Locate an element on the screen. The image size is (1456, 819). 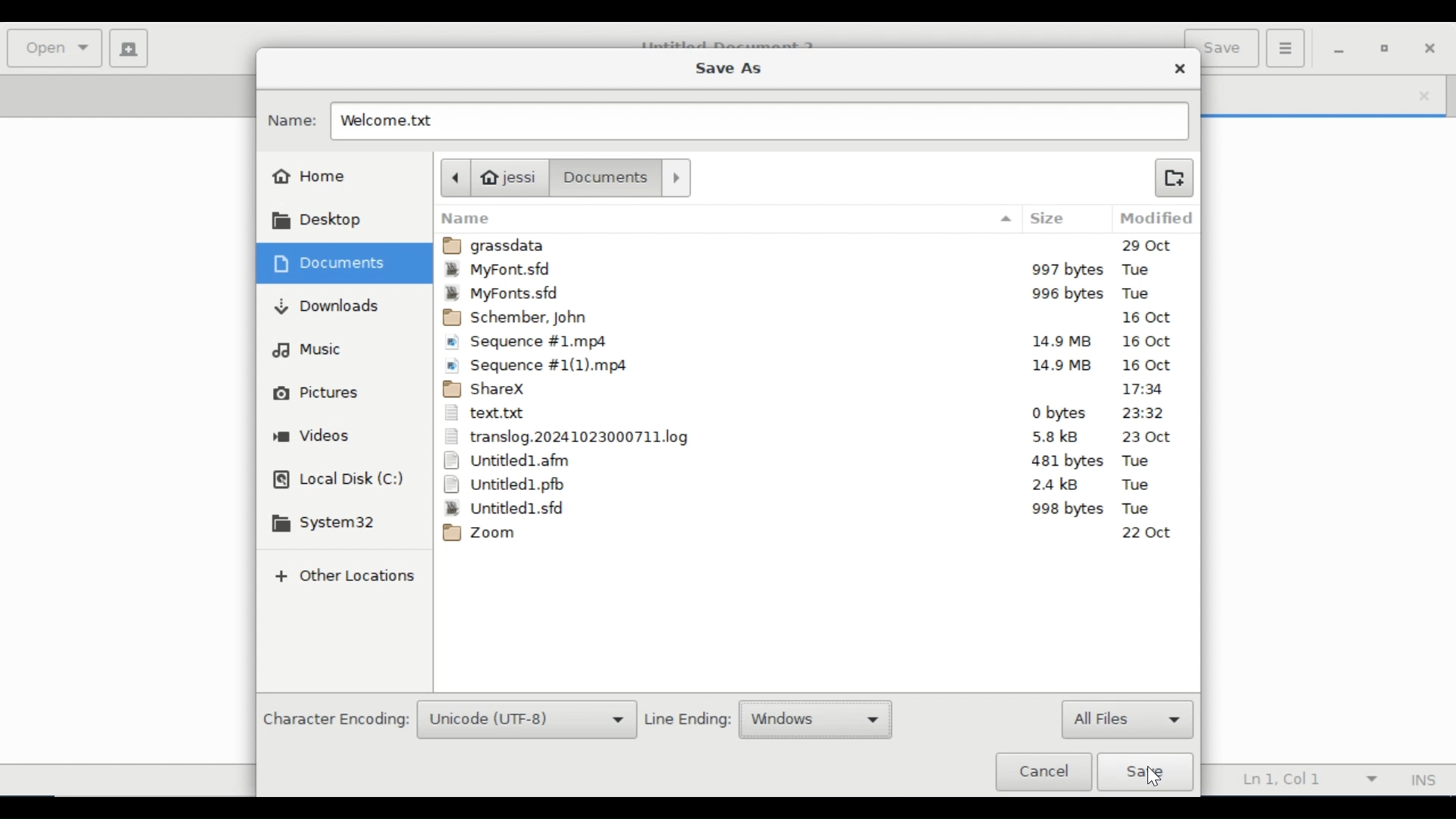
Save is located at coordinates (1145, 772).